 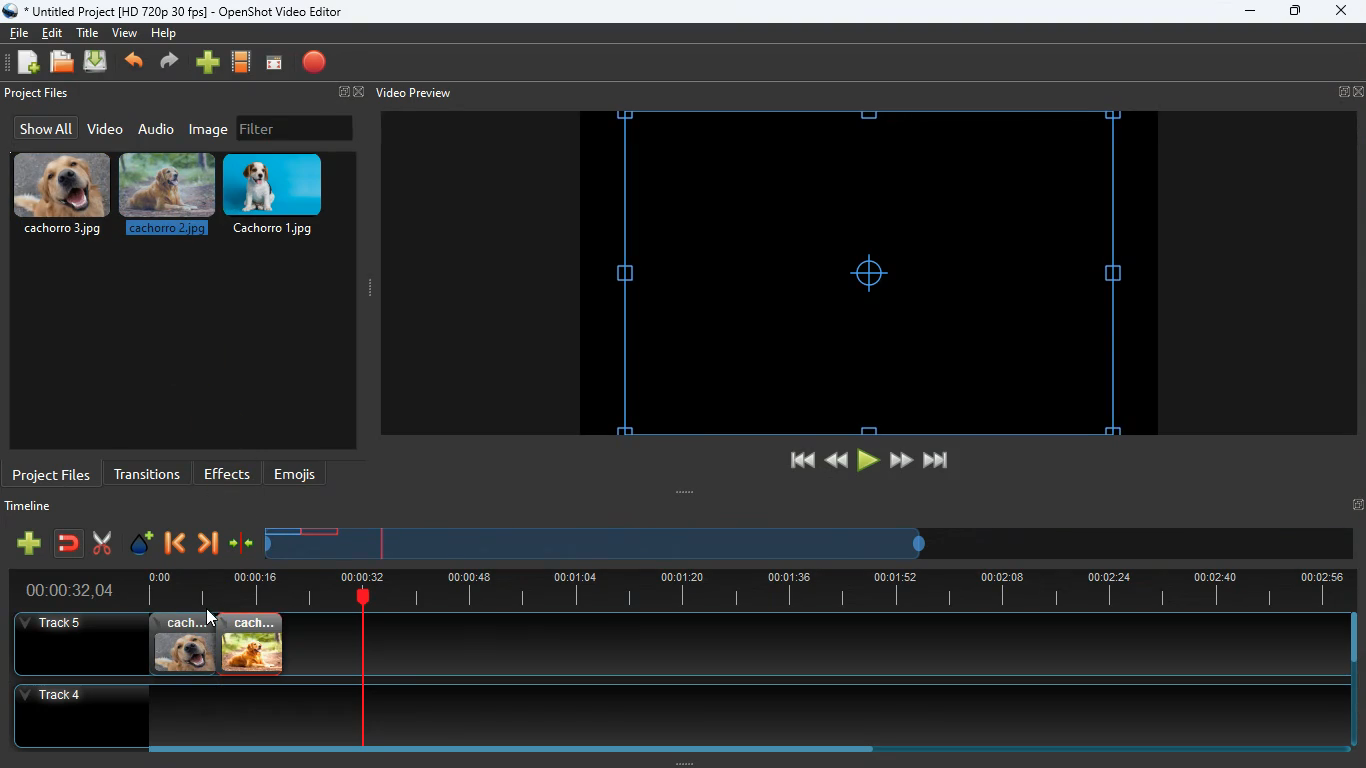 I want to click on maximize, so click(x=1296, y=13).